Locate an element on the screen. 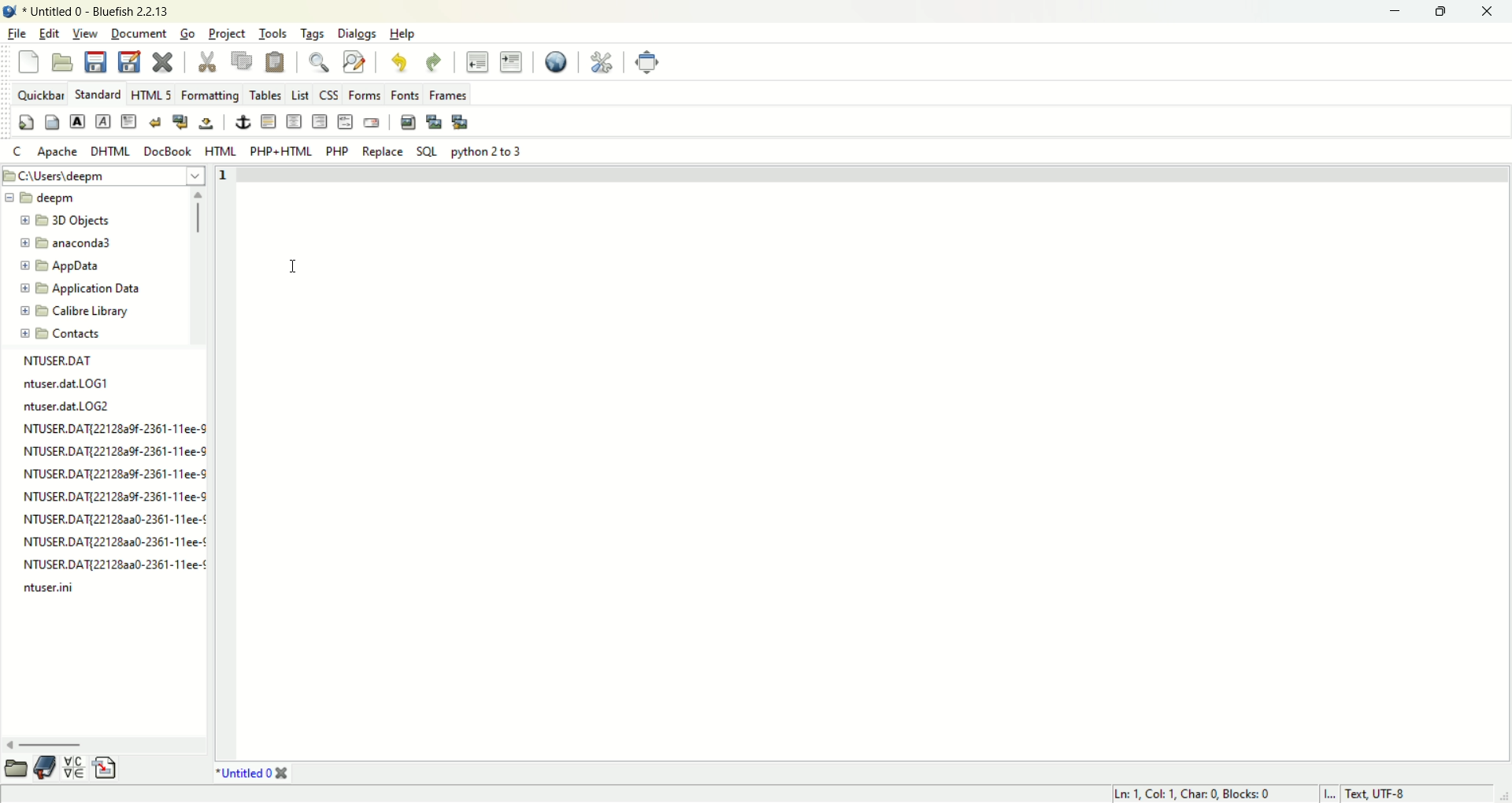 Image resolution: width=1512 pixels, height=803 pixels. quickbar is located at coordinates (38, 93).